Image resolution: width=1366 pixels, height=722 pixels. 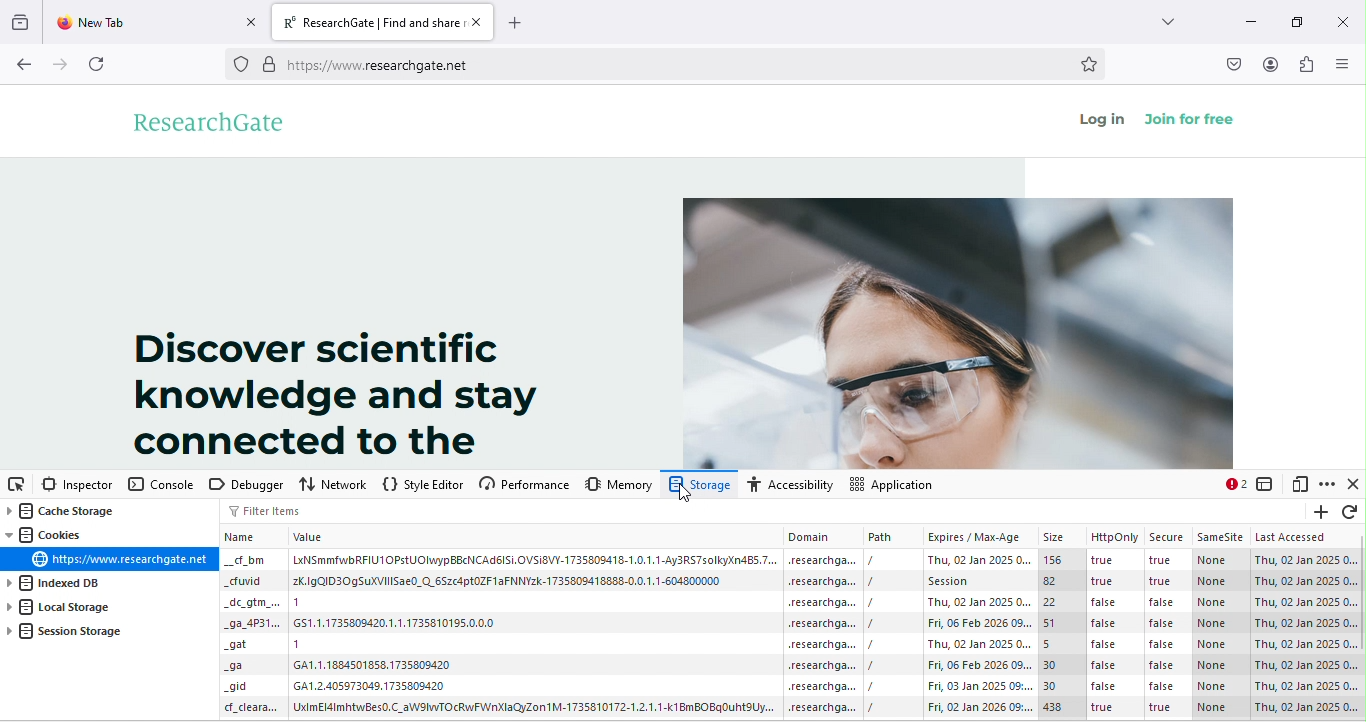 I want to click on date, so click(x=980, y=645).